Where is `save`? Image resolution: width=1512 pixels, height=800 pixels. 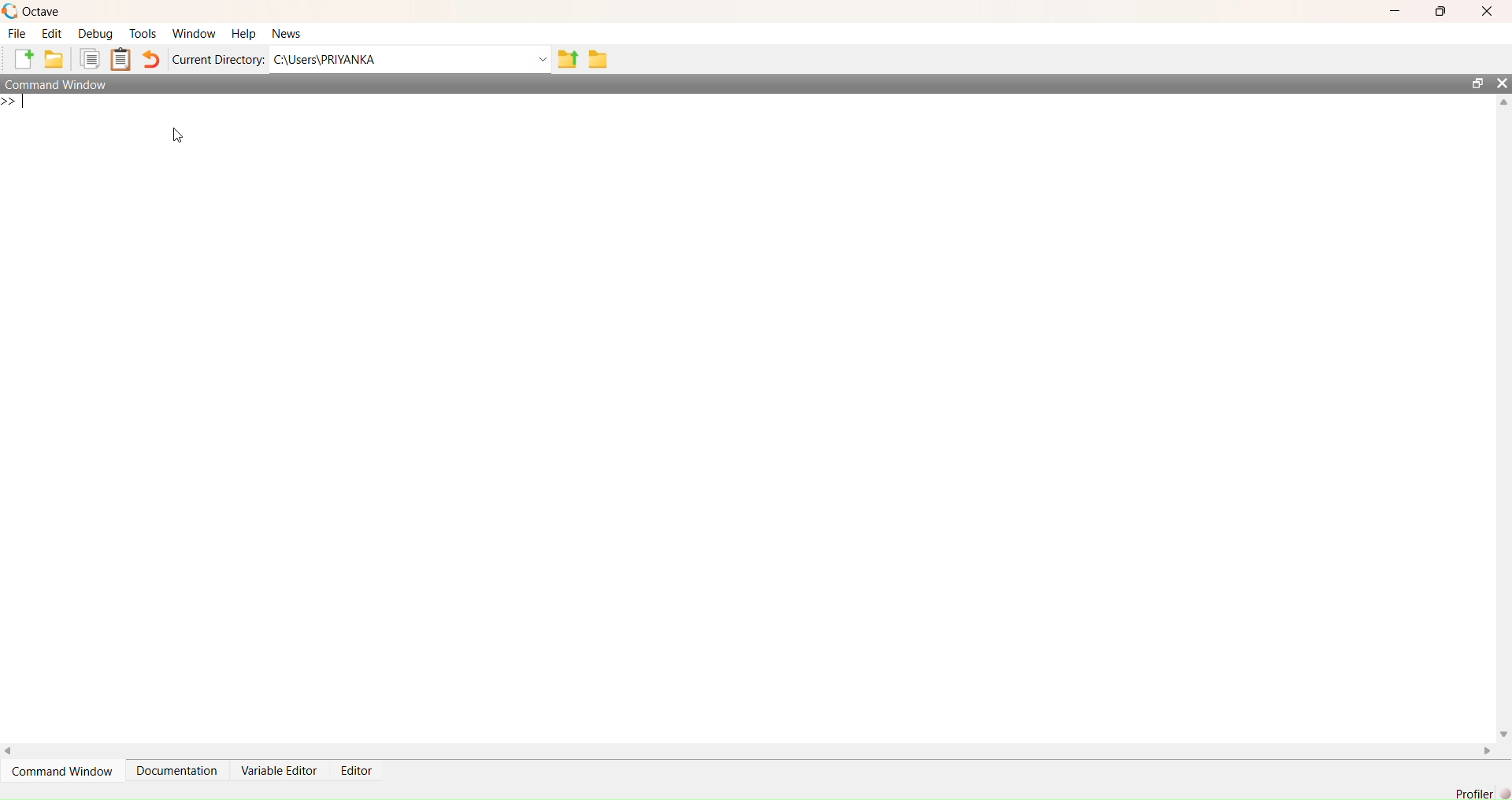
save is located at coordinates (600, 59).